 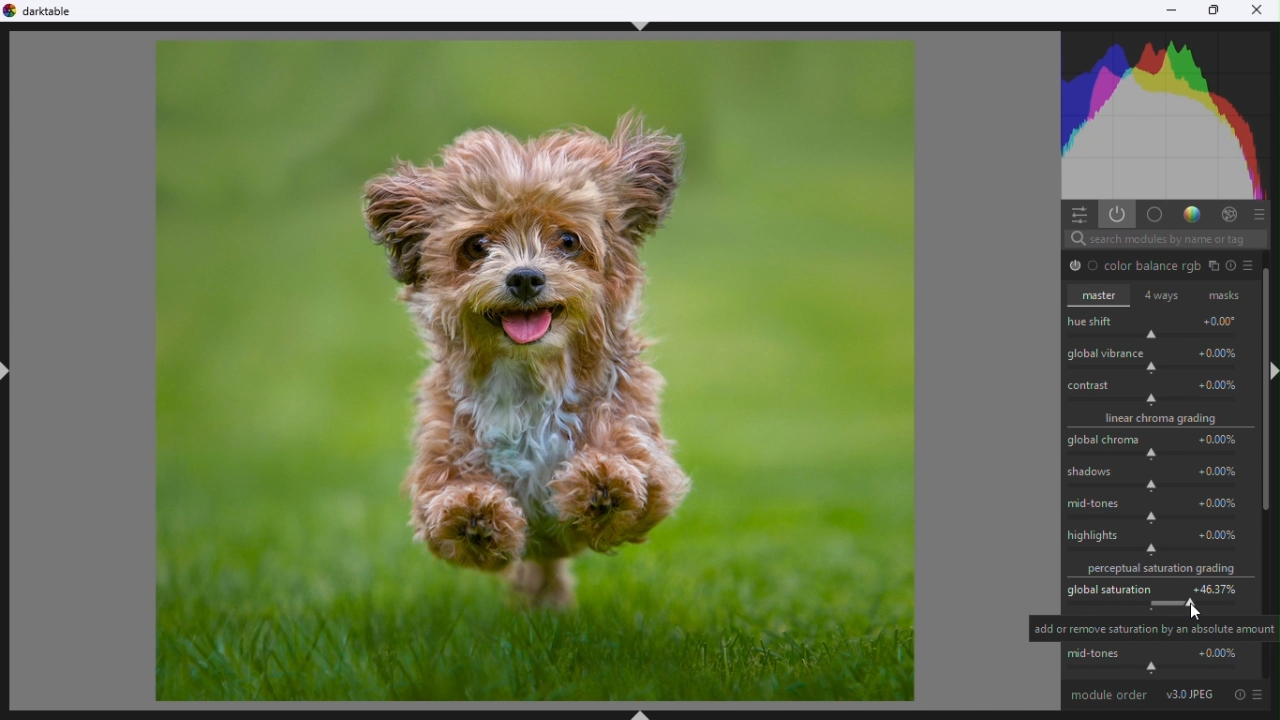 I want to click on Masks, so click(x=1223, y=293).